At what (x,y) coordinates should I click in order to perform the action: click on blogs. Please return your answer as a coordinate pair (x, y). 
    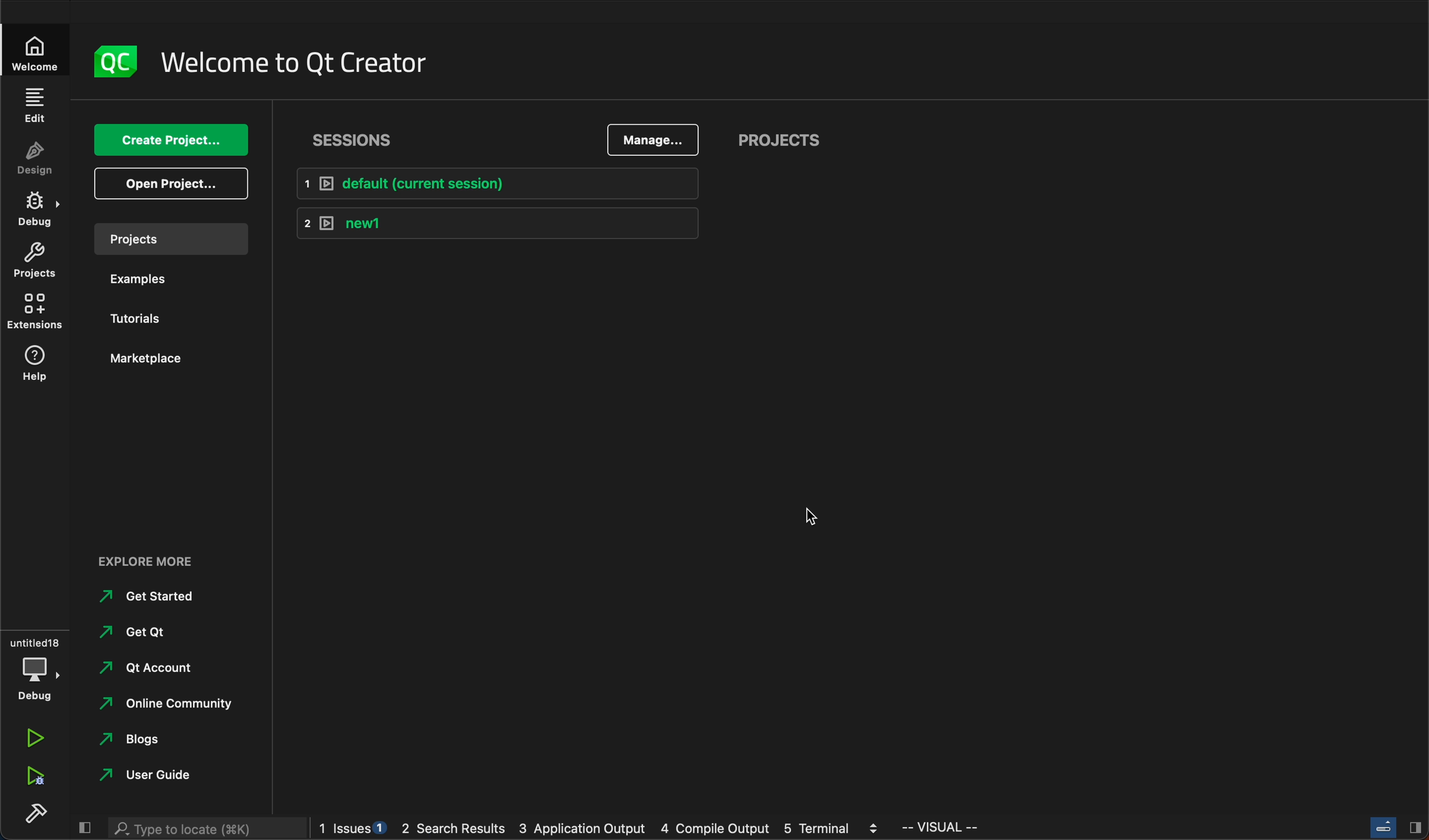
    Looking at the image, I should click on (144, 738).